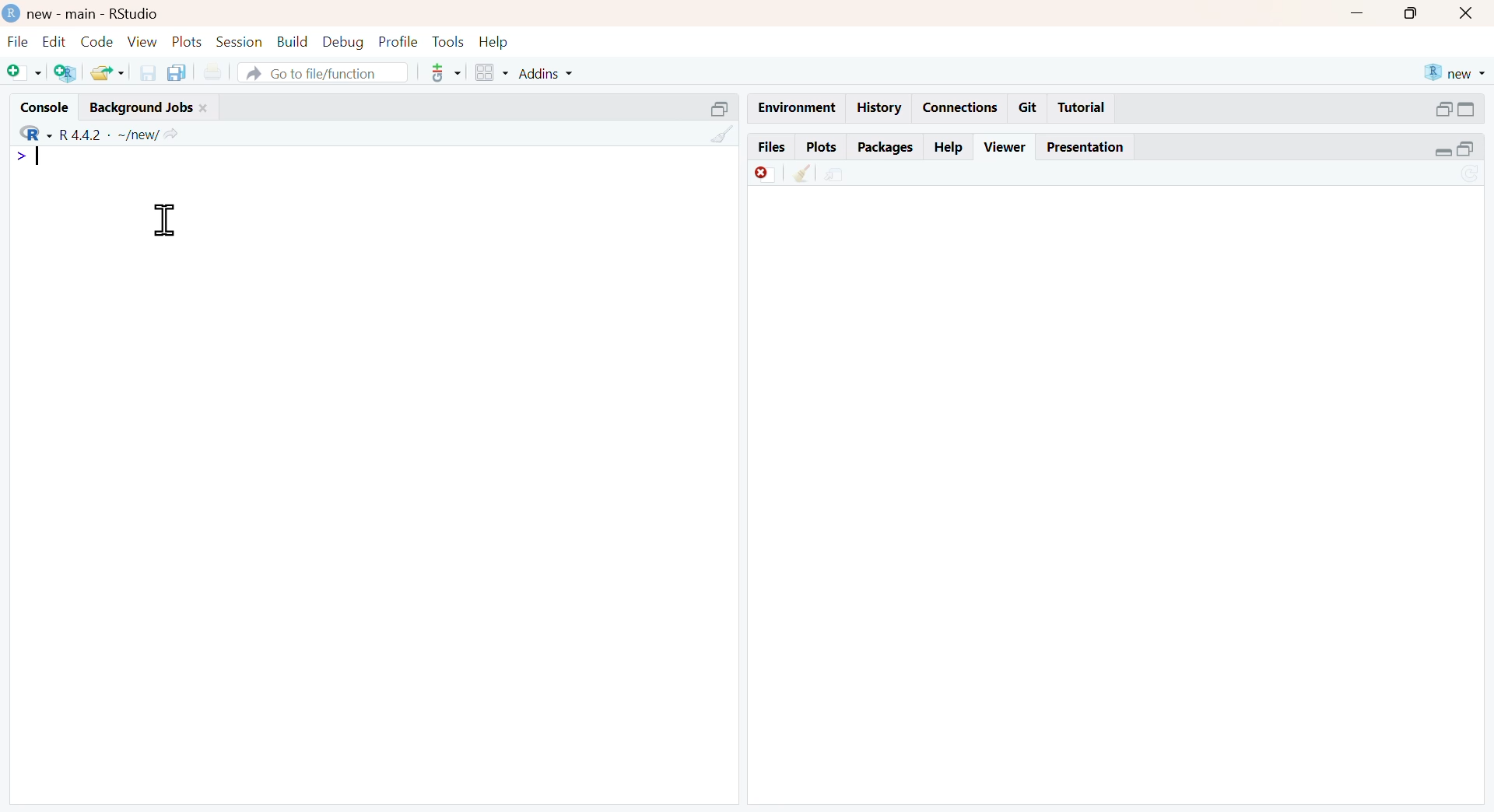 This screenshot has height=812, width=1494. What do you see at coordinates (819, 147) in the screenshot?
I see `Plots` at bounding box center [819, 147].